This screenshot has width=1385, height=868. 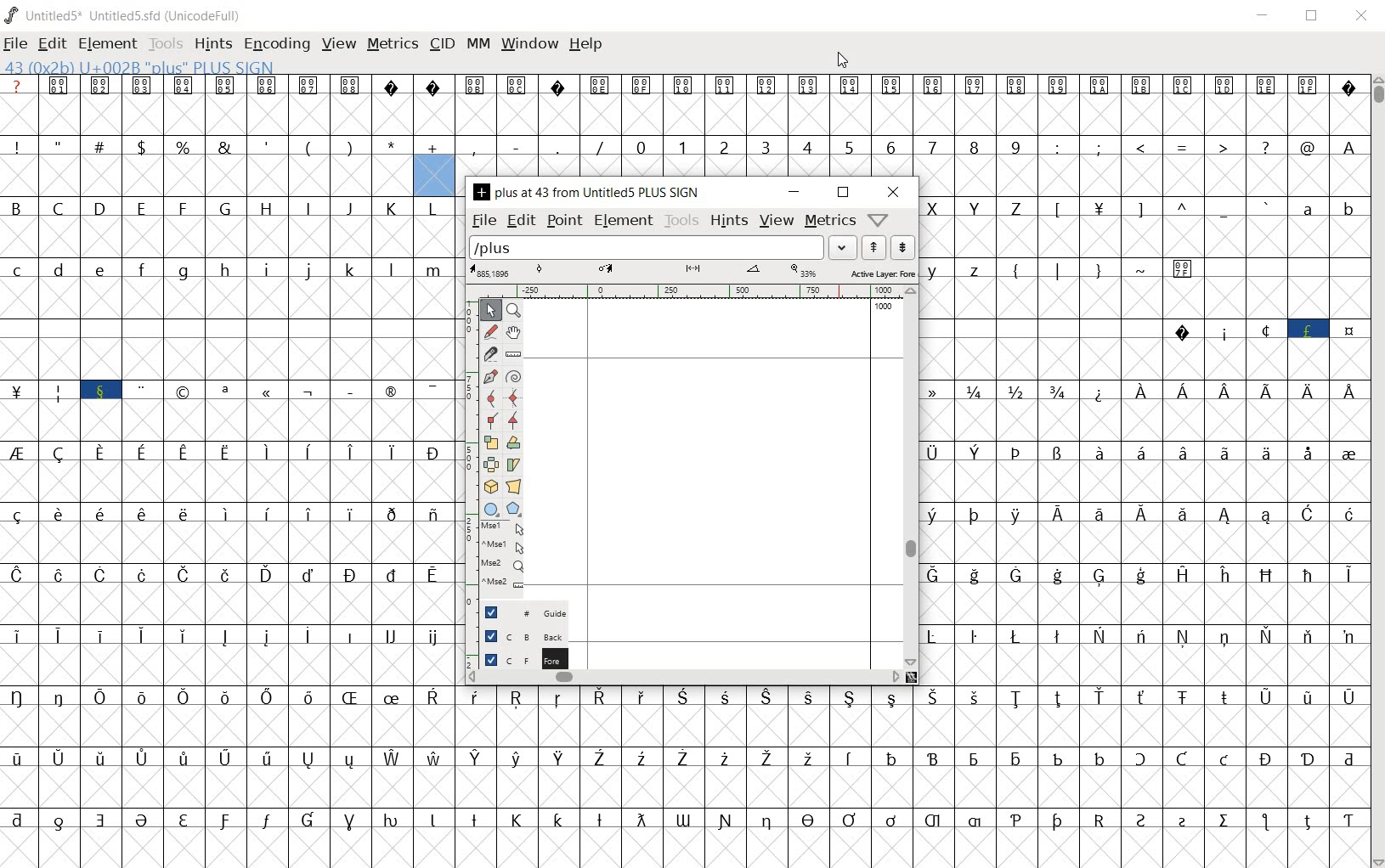 I want to click on scroll by hand, so click(x=512, y=334).